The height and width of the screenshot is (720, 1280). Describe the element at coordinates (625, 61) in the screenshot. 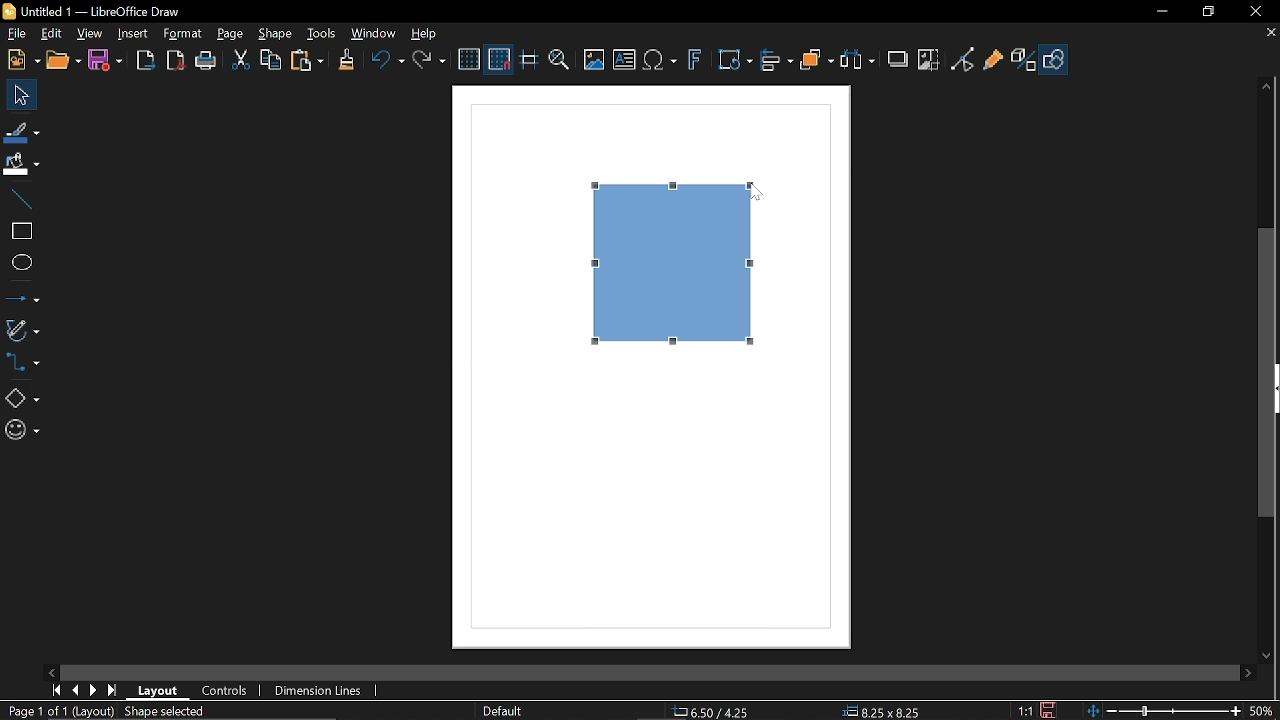

I see `Add text` at that location.